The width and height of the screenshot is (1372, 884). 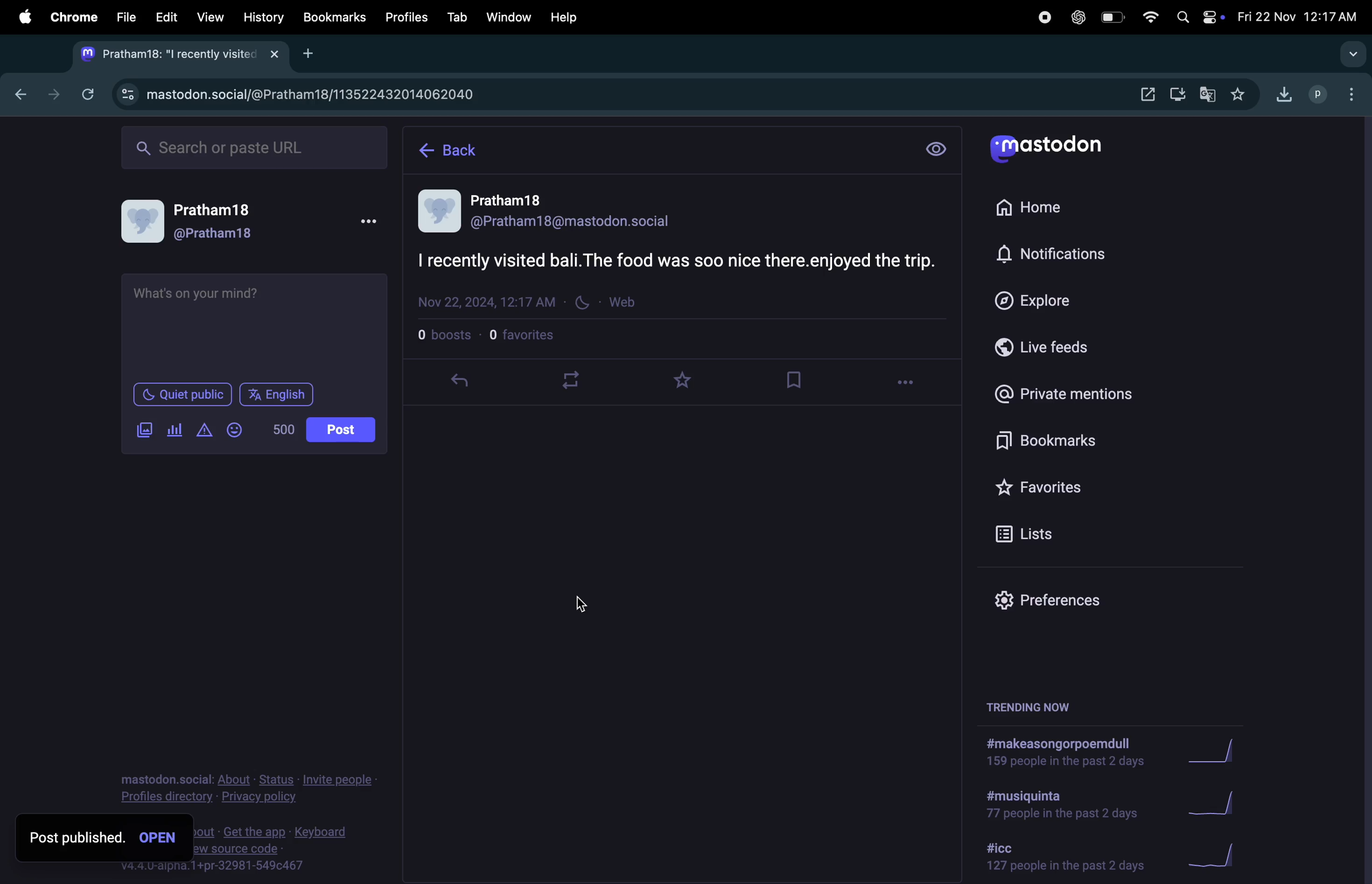 What do you see at coordinates (1210, 20) in the screenshot?
I see `apple widgets` at bounding box center [1210, 20].